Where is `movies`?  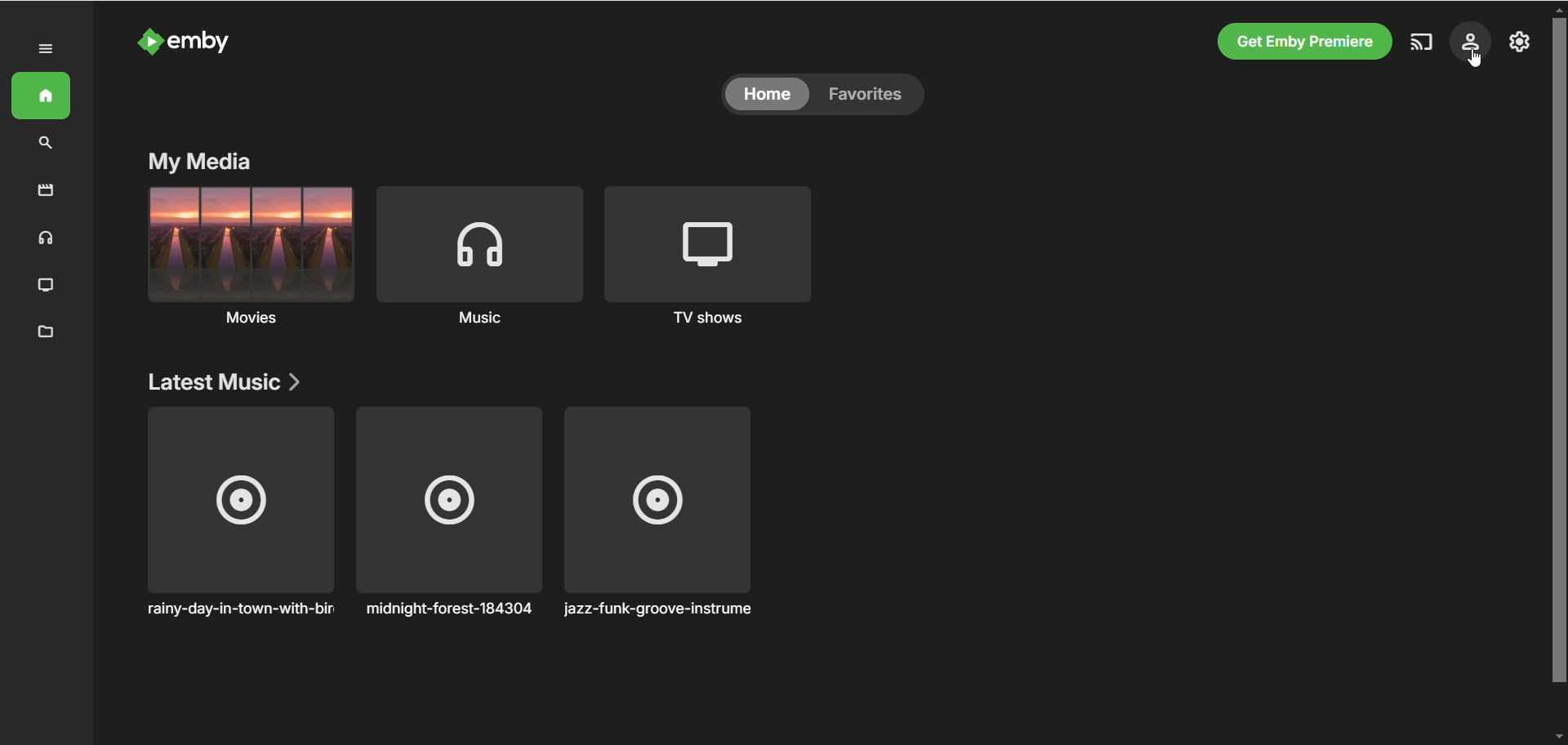 movies is located at coordinates (46, 192).